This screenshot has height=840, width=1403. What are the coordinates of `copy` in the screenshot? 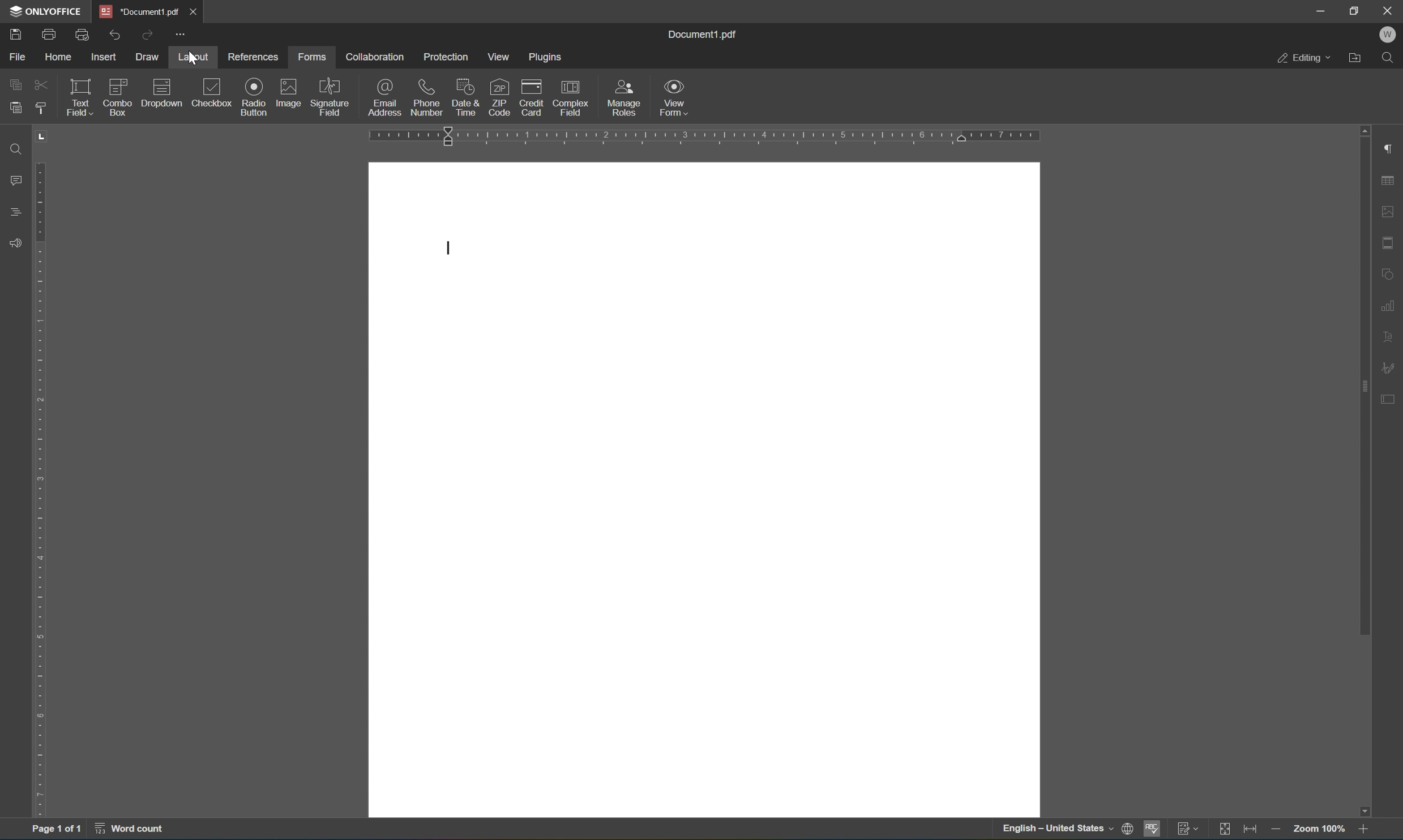 It's located at (15, 83).